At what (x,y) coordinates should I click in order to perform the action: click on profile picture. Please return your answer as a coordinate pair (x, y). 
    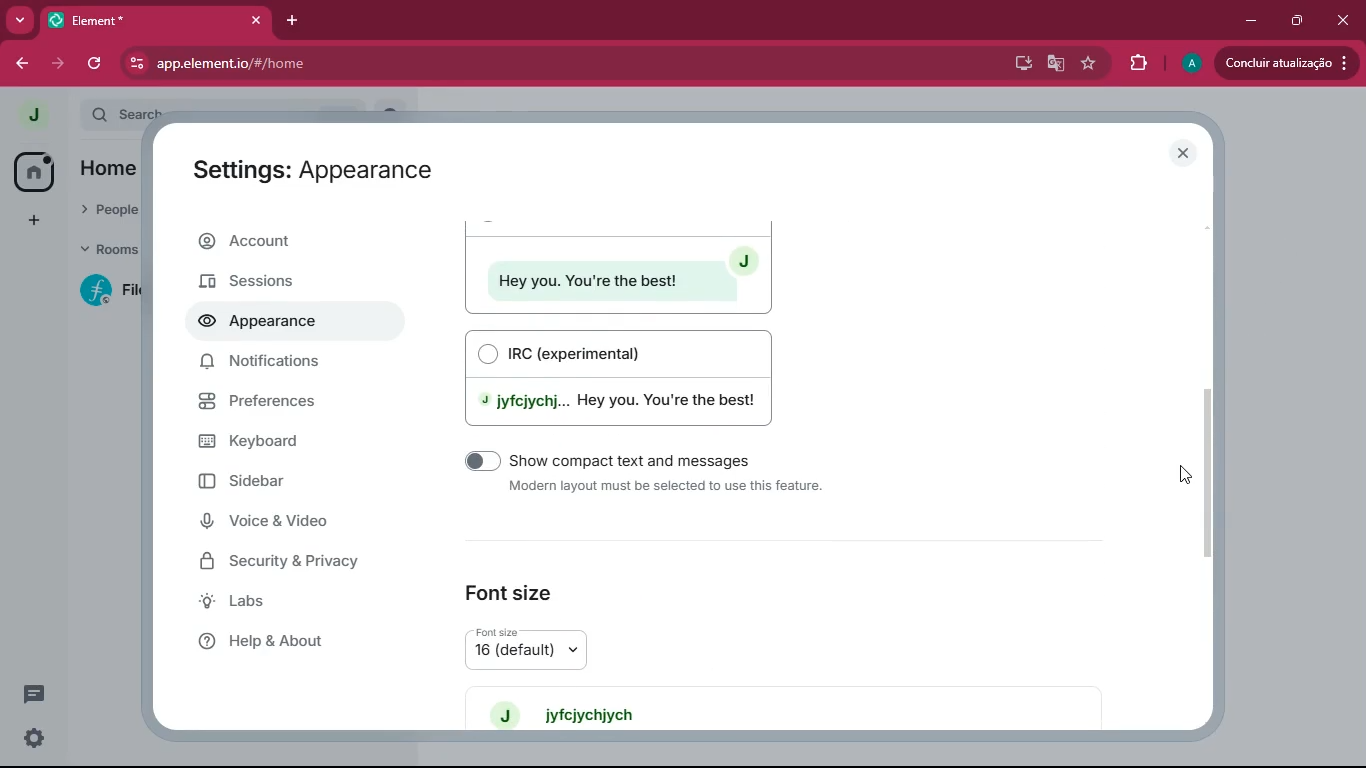
    Looking at the image, I should click on (28, 115).